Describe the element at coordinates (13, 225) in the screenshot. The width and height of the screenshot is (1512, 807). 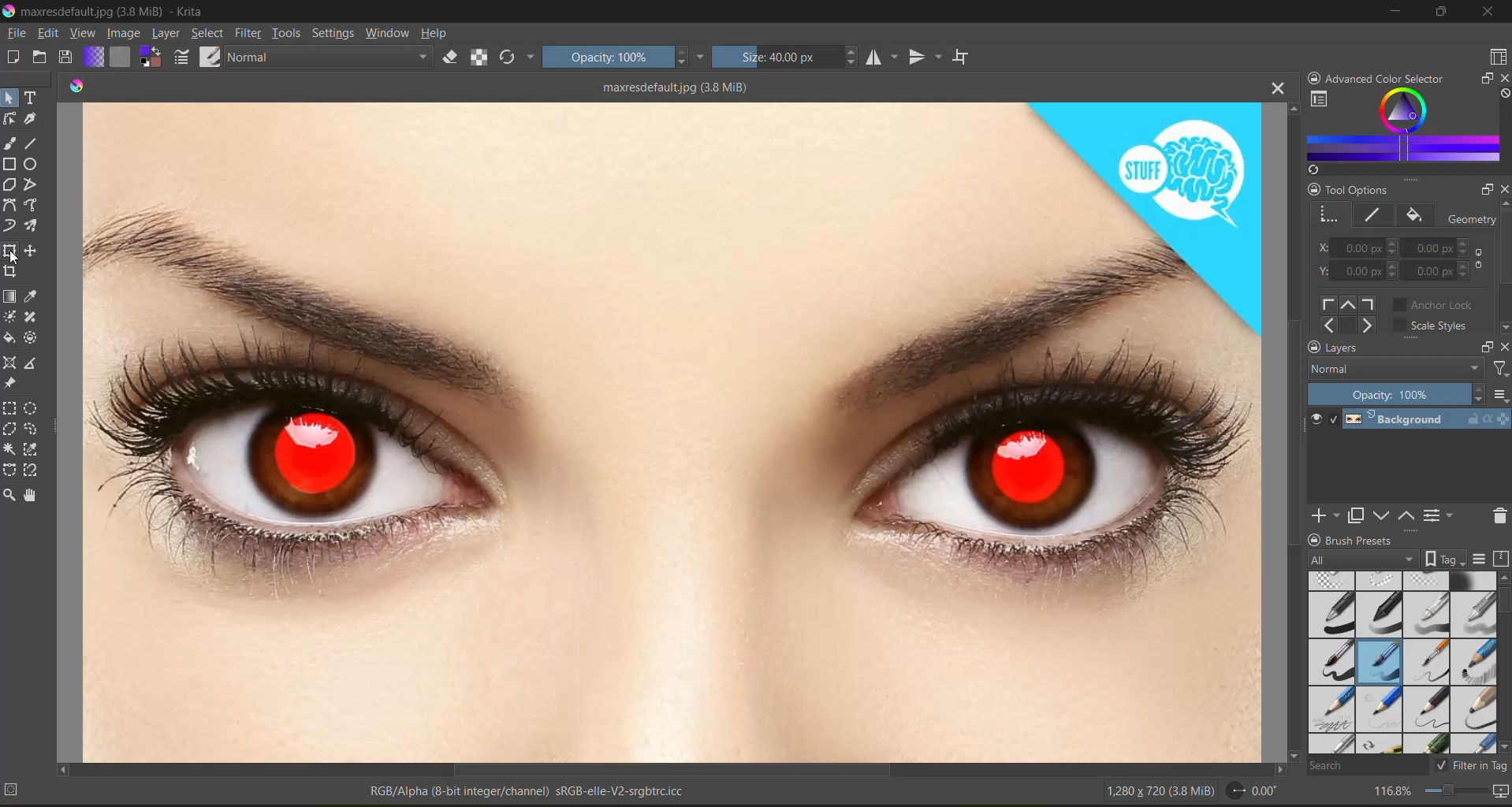
I see `tool` at that location.